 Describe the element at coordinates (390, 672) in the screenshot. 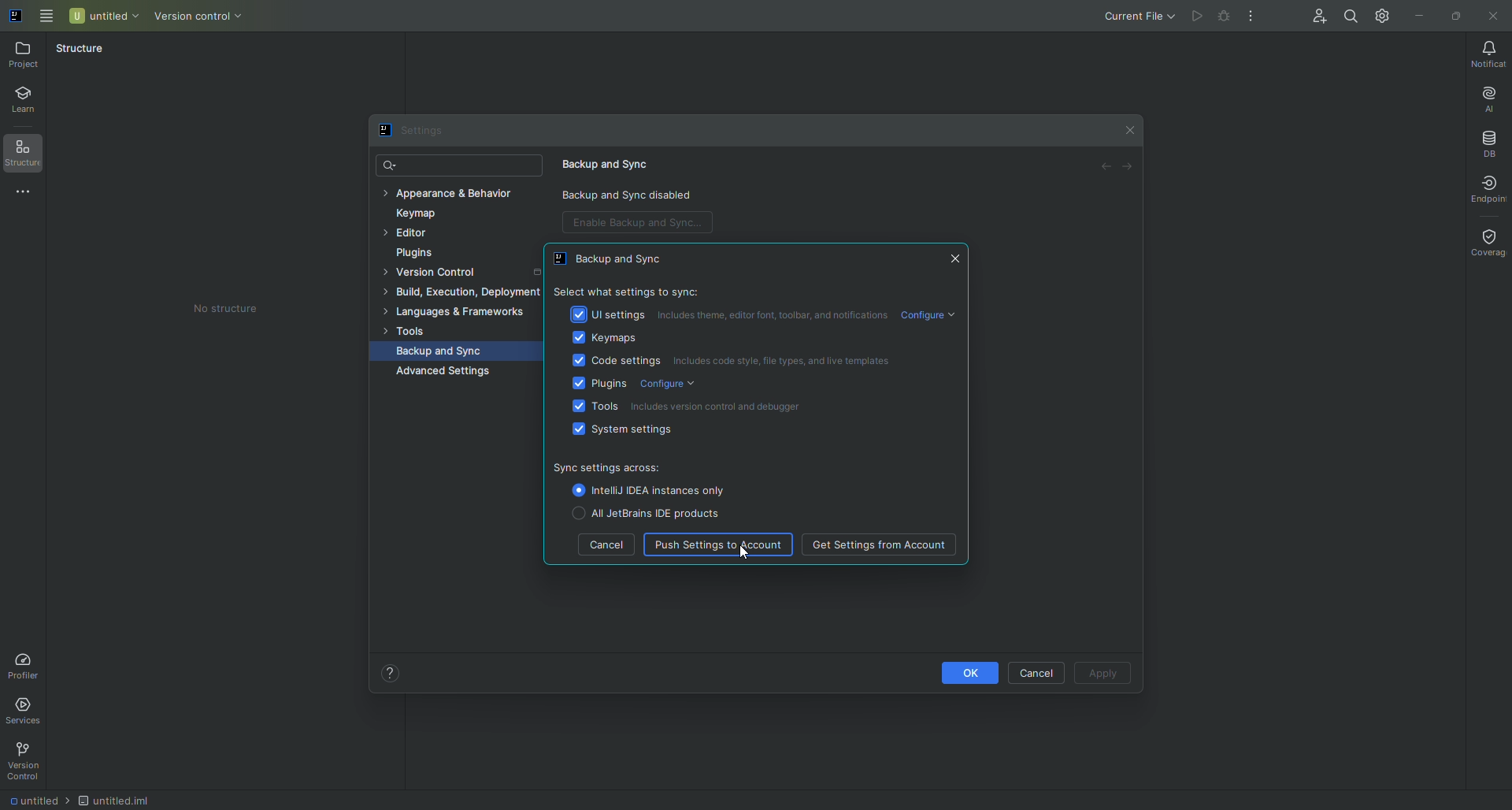

I see `Help` at that location.